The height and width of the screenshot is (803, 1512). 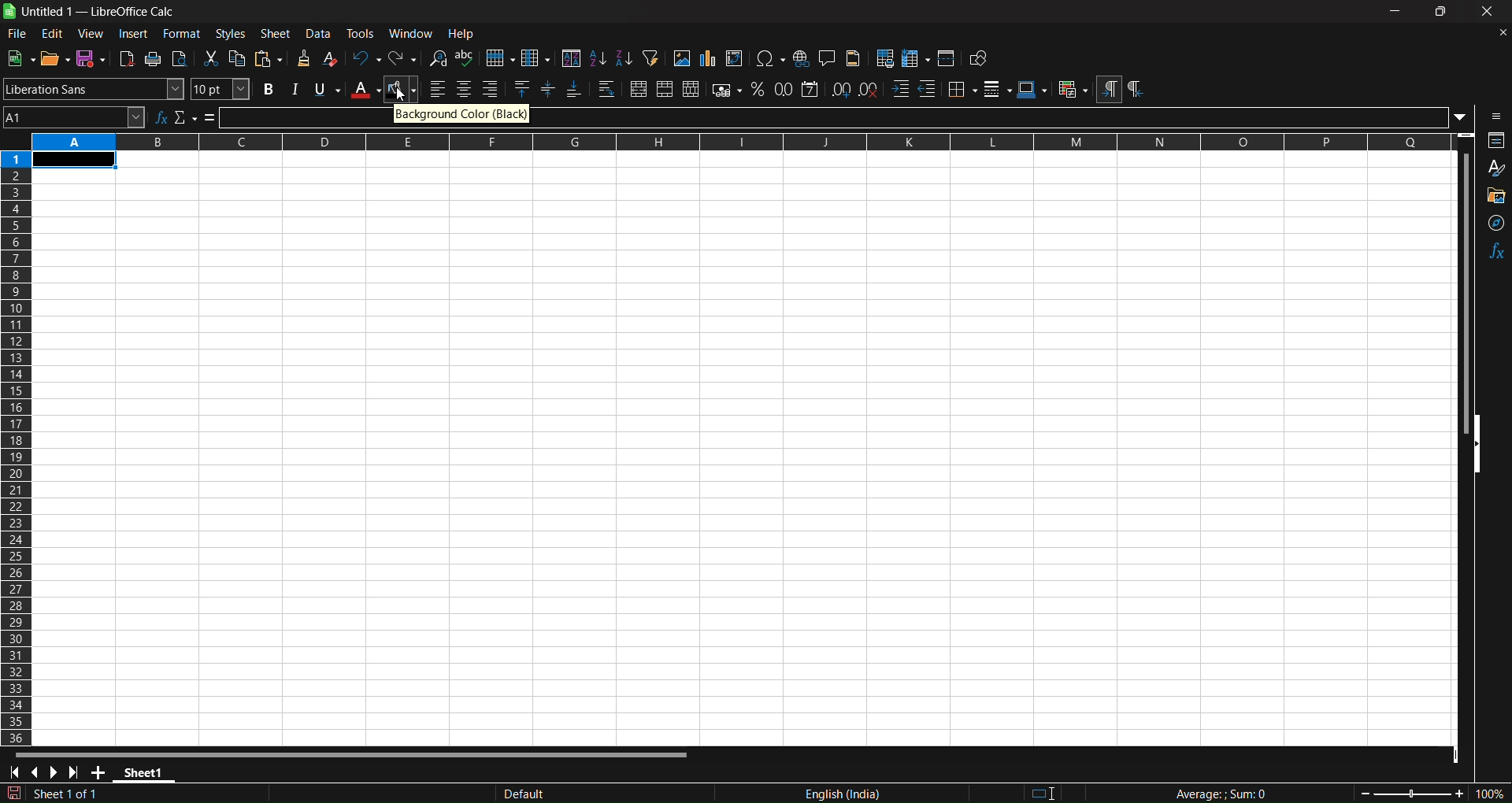 I want to click on wrap text, so click(x=606, y=88).